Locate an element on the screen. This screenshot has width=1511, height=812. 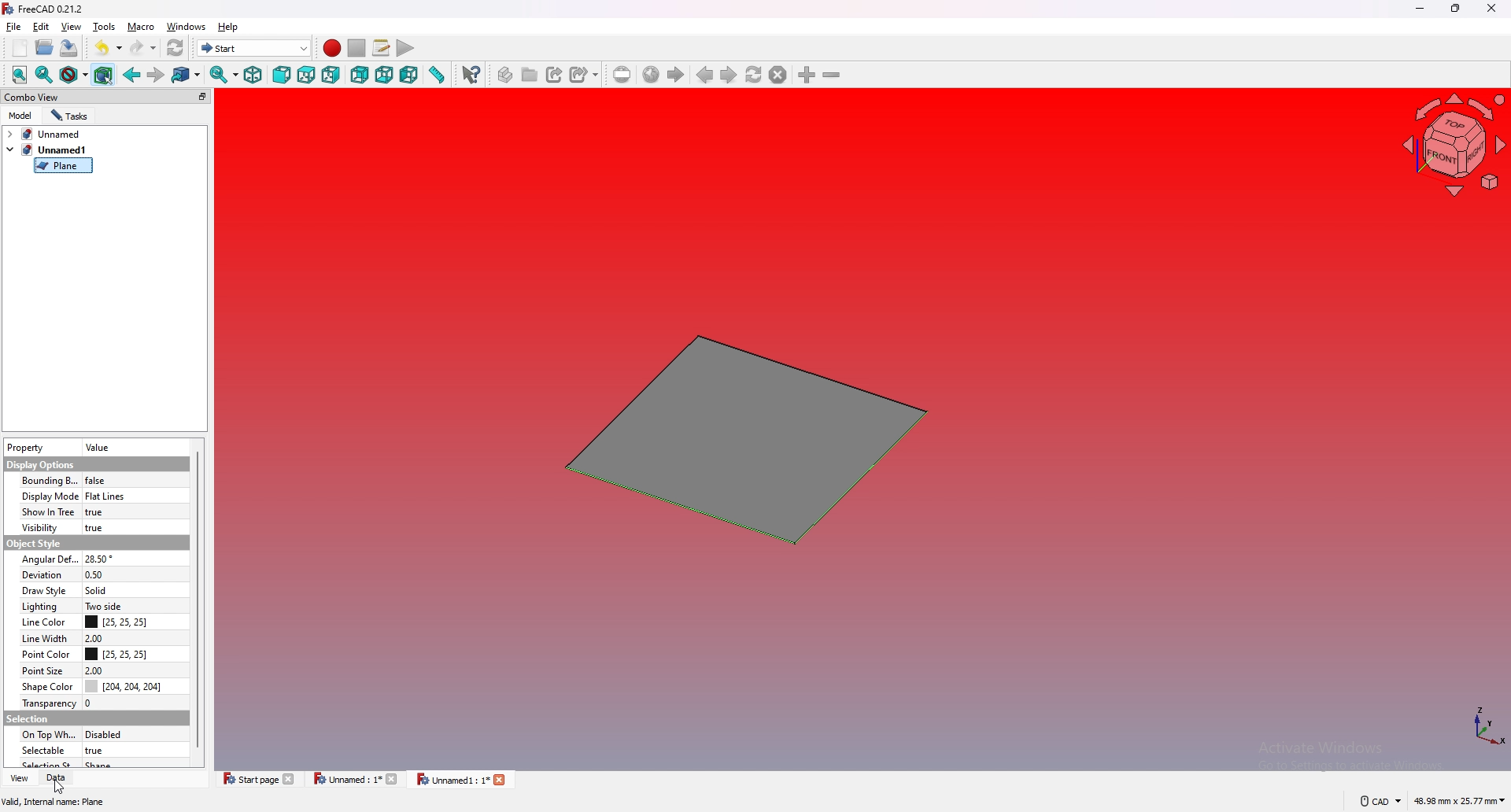
zoom out is located at coordinates (831, 74).